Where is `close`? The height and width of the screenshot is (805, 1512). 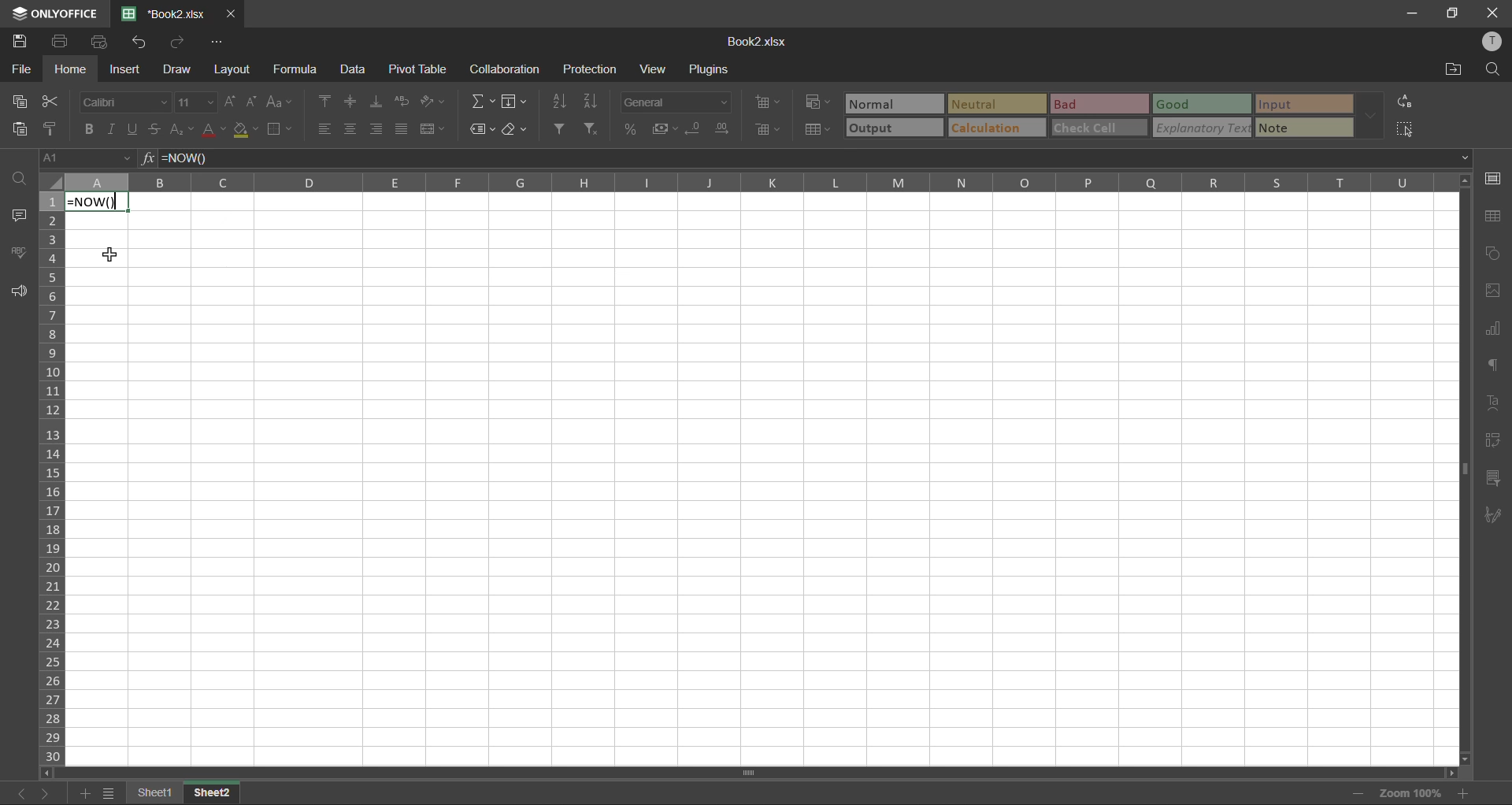
close is located at coordinates (1493, 10).